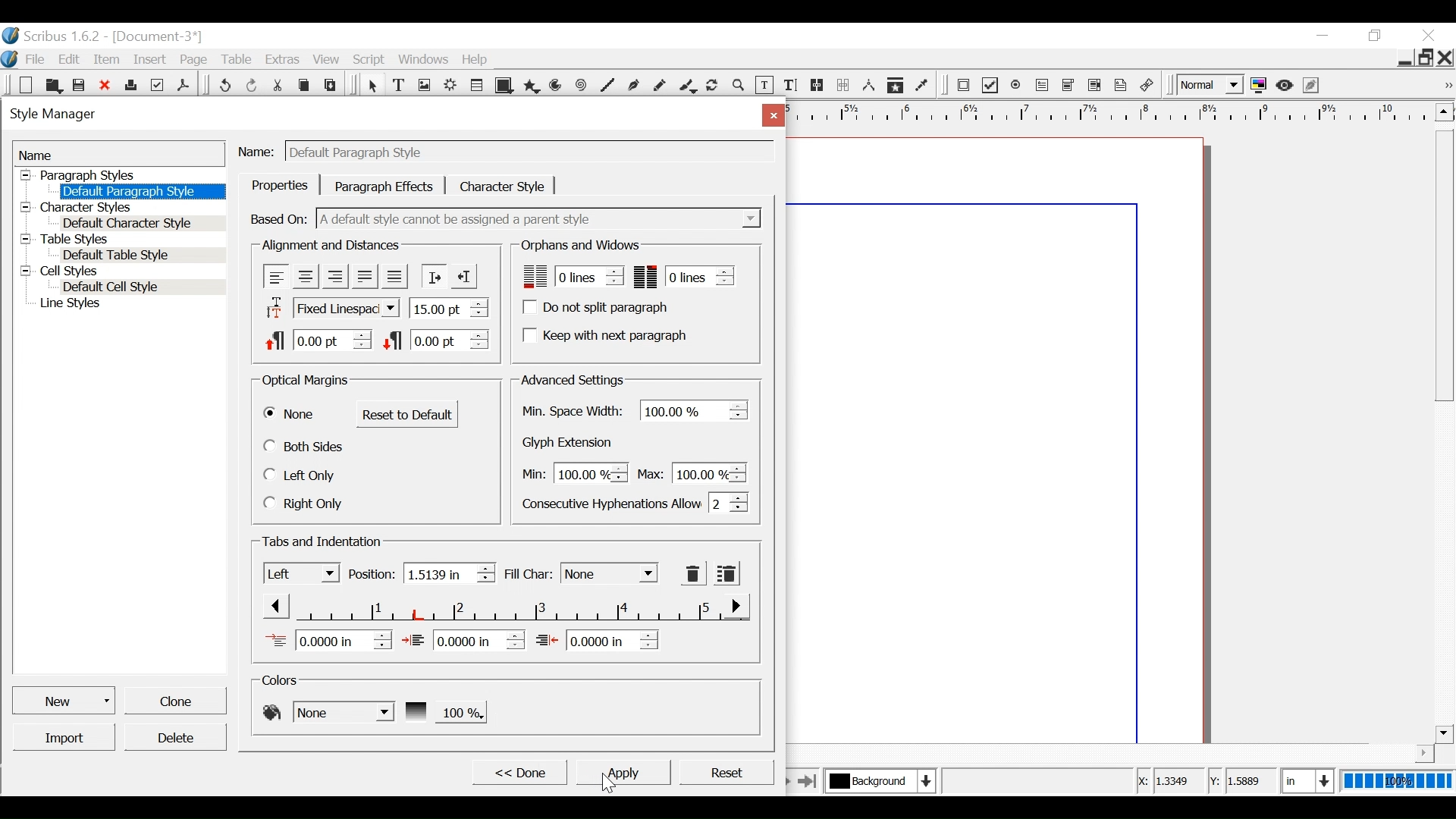 The height and width of the screenshot is (819, 1456). I want to click on line spacing, so click(450, 307).